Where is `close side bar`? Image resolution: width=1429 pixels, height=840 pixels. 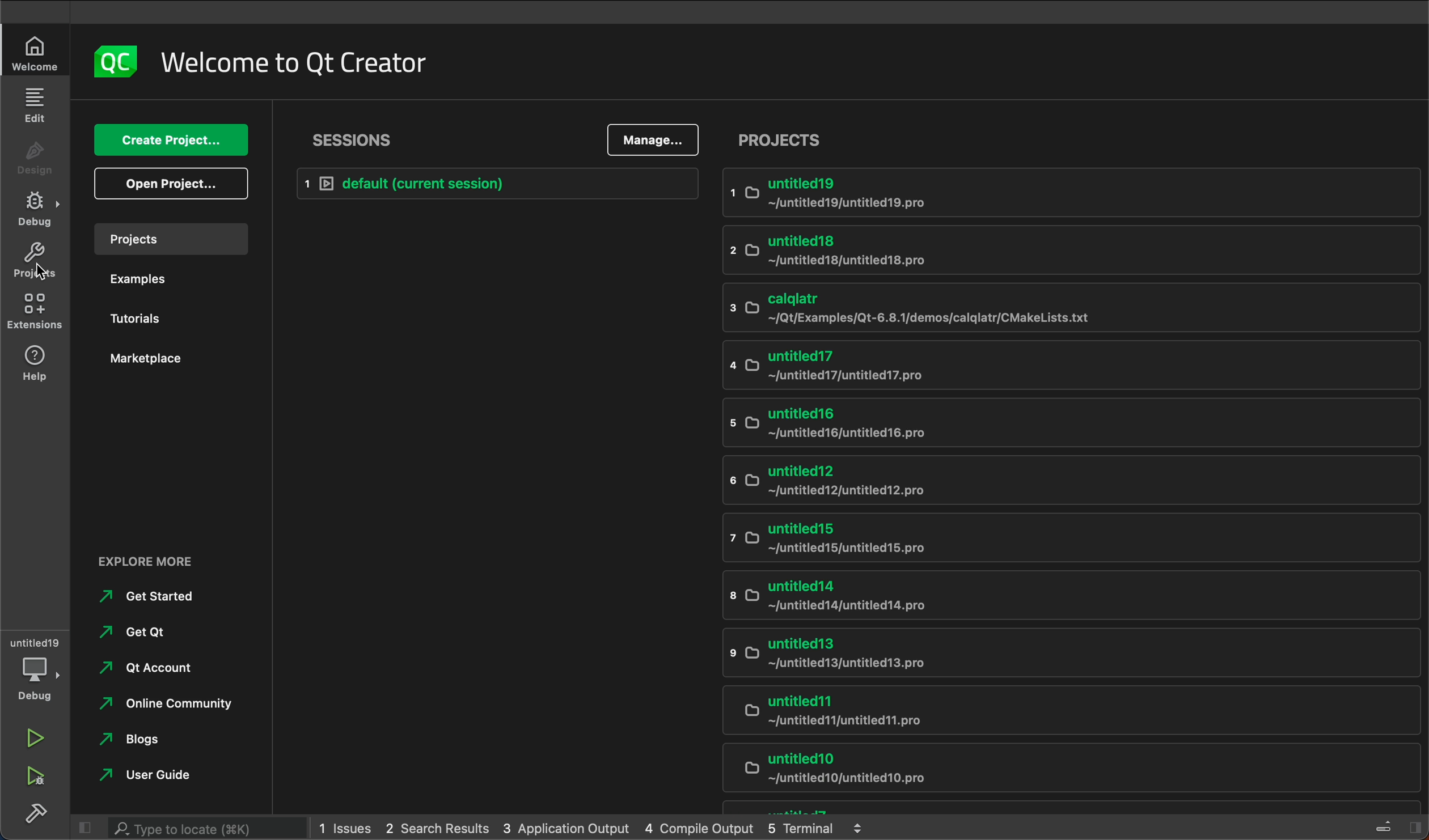 close side bar is located at coordinates (1387, 825).